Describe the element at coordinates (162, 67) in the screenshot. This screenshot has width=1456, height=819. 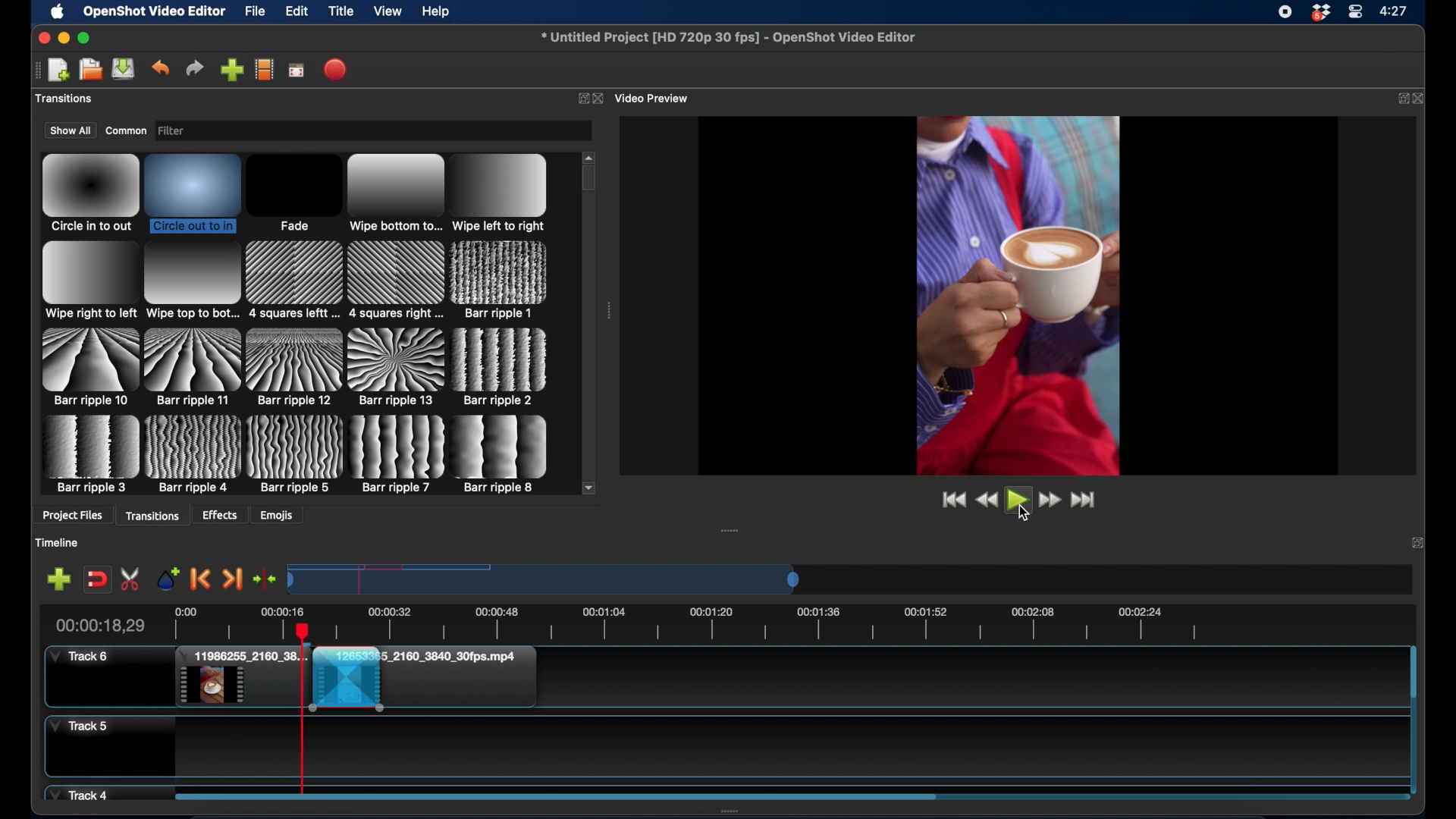
I see `undo` at that location.